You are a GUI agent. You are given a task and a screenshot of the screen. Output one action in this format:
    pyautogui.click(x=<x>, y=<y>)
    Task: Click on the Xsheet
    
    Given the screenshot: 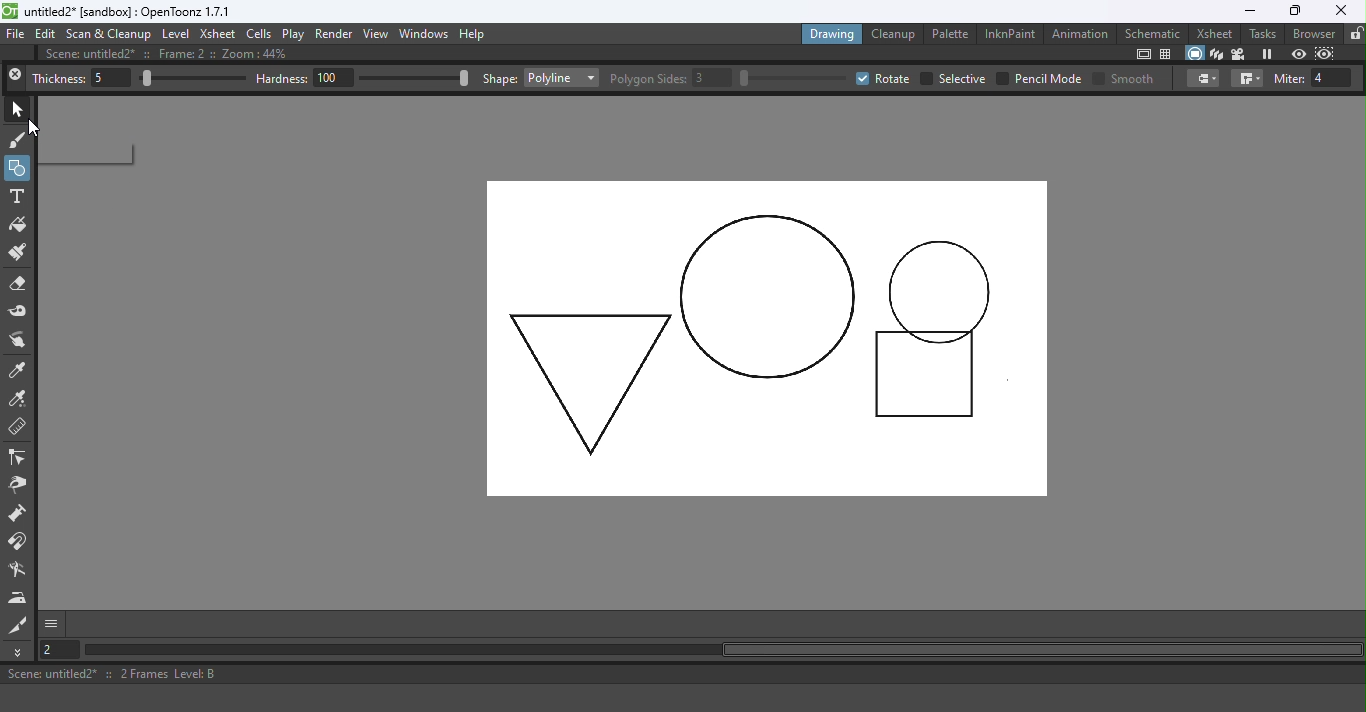 What is the action you would take?
    pyautogui.click(x=218, y=34)
    